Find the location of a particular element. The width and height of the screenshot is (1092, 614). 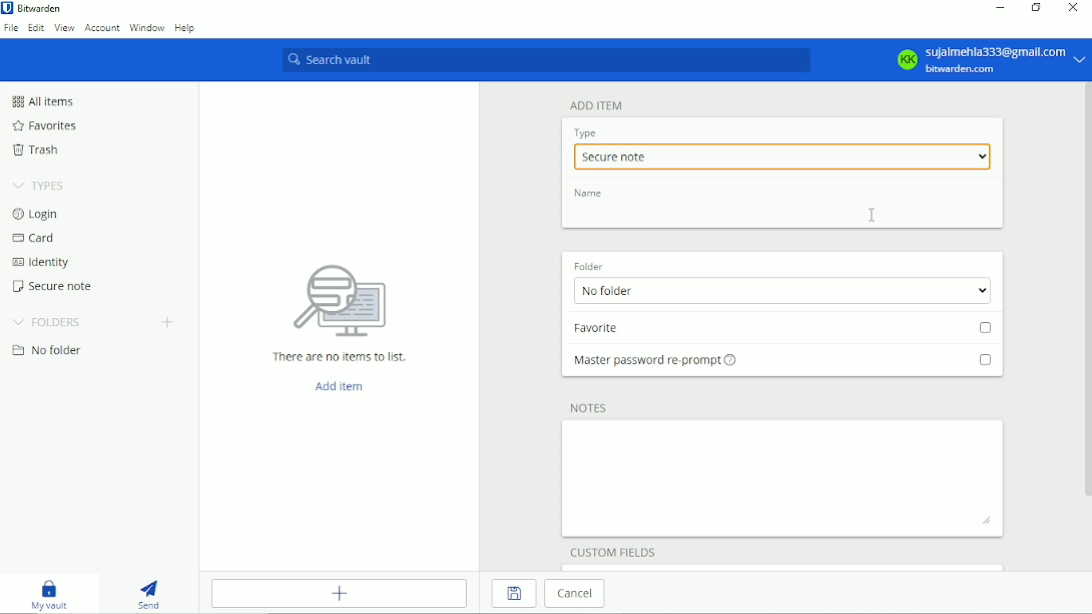

Types is located at coordinates (40, 185).